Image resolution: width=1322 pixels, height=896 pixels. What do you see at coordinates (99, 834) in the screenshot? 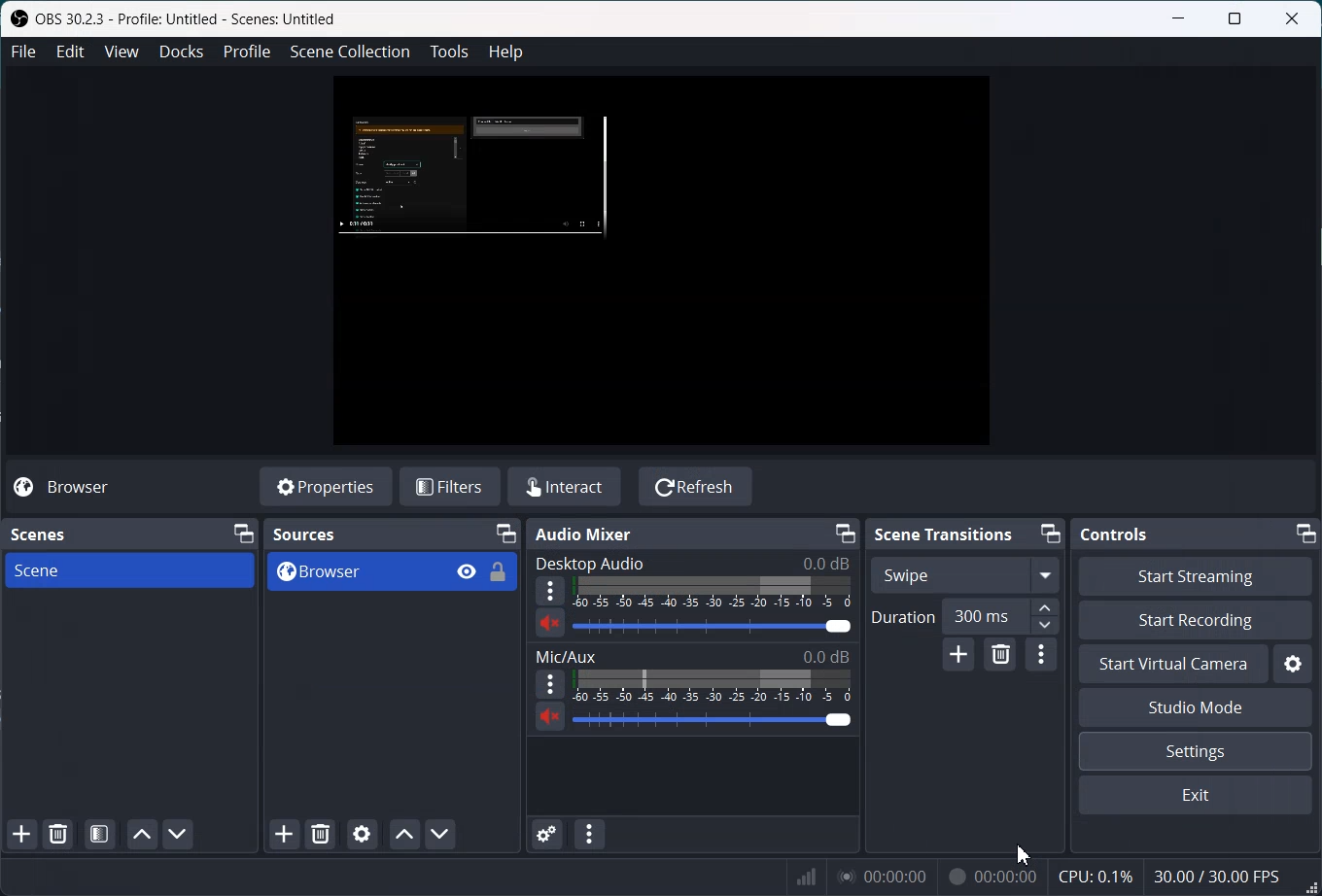
I see `Open Scene Filter` at bounding box center [99, 834].